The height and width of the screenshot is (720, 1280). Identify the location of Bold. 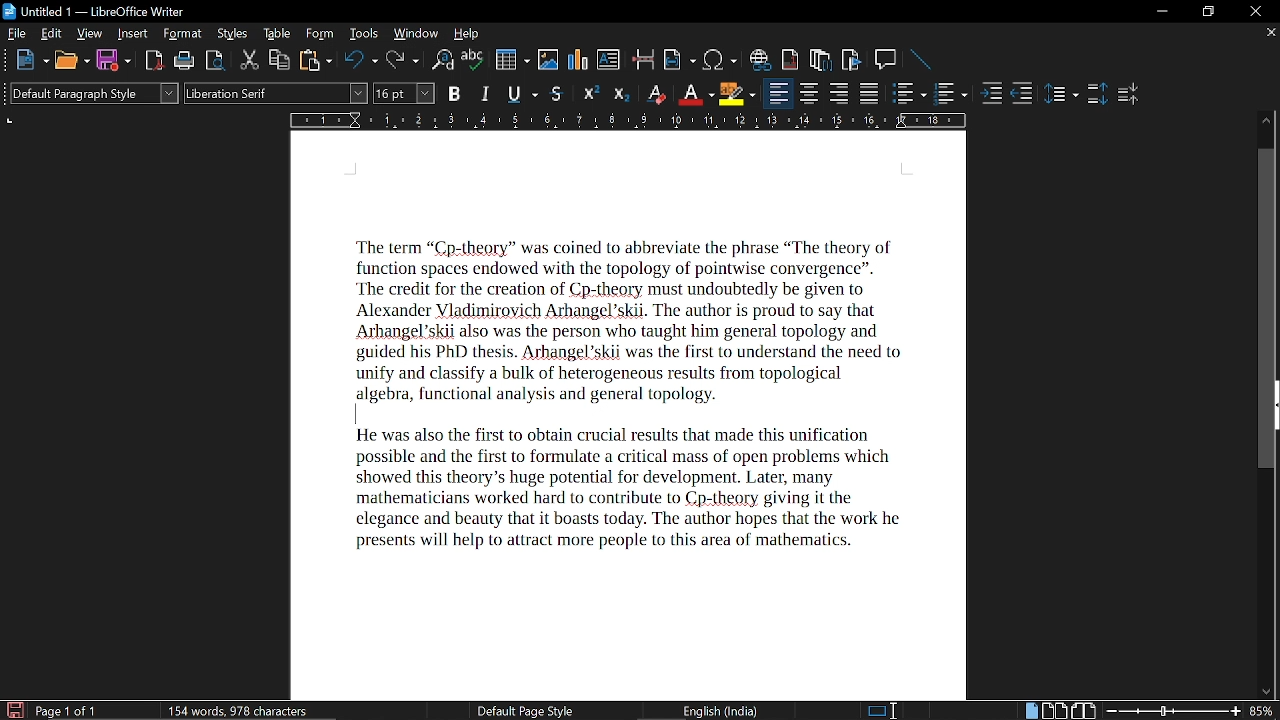
(454, 93).